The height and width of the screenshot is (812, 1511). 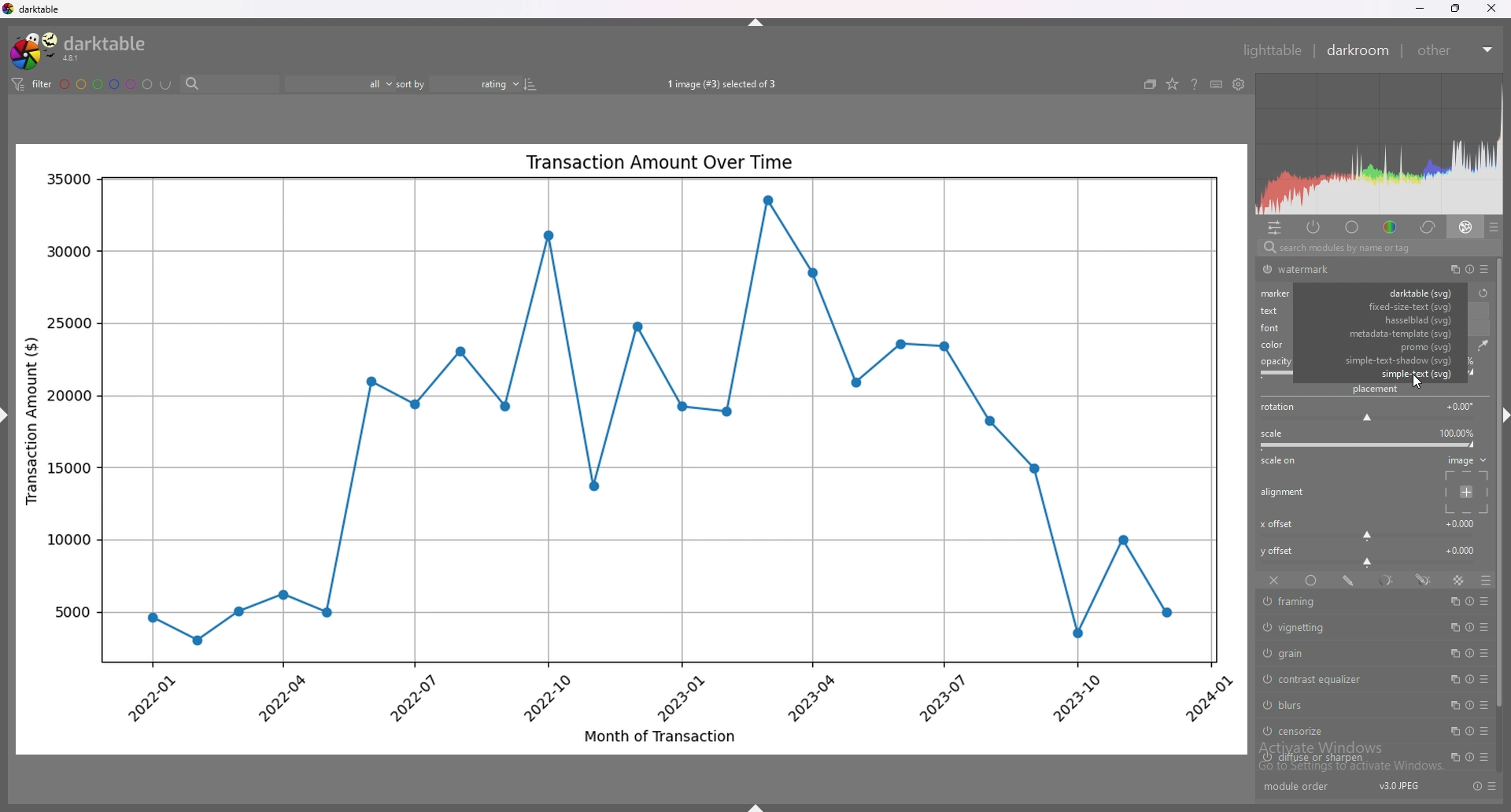 What do you see at coordinates (1272, 311) in the screenshot?
I see `text` at bounding box center [1272, 311].